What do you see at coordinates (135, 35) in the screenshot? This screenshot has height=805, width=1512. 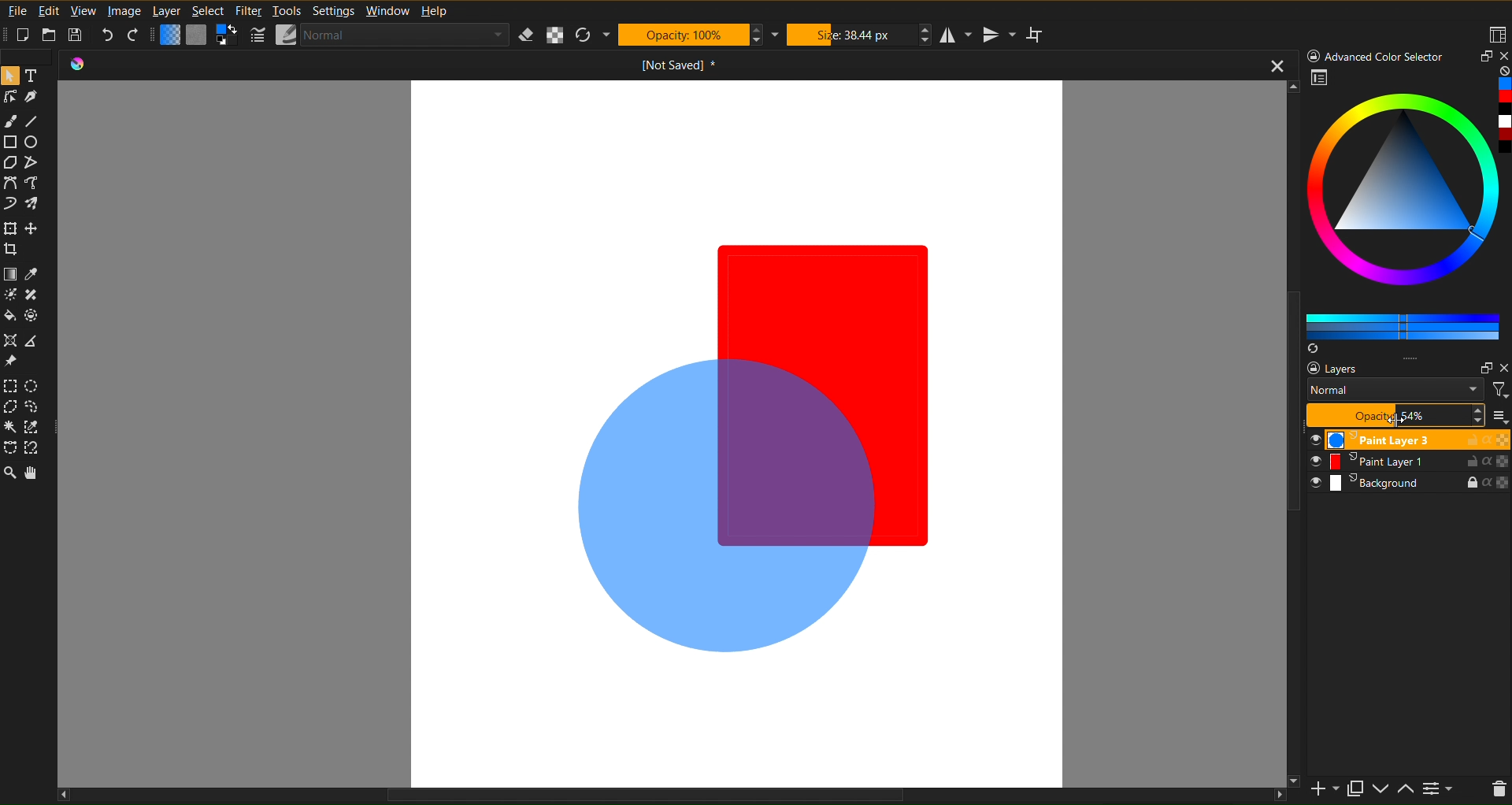 I see `Redo` at bounding box center [135, 35].